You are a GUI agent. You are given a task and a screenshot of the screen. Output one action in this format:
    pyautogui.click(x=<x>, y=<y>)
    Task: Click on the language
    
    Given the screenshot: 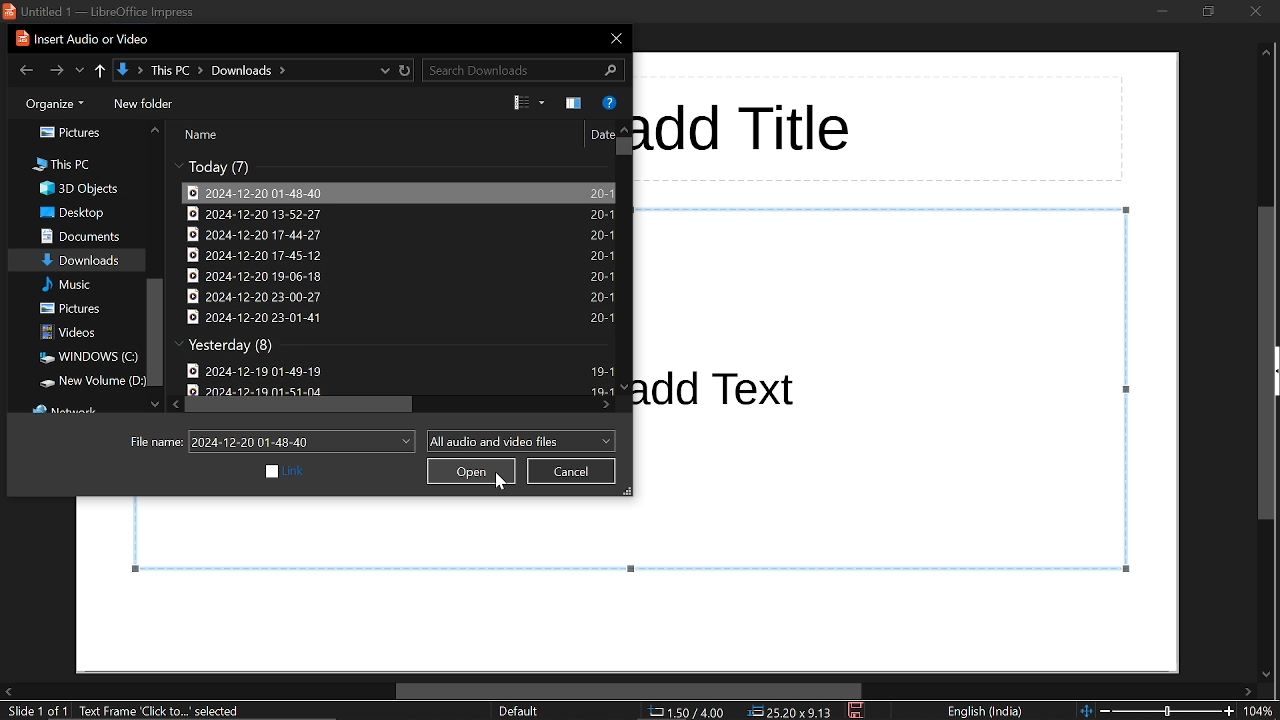 What is the action you would take?
    pyautogui.click(x=986, y=712)
    